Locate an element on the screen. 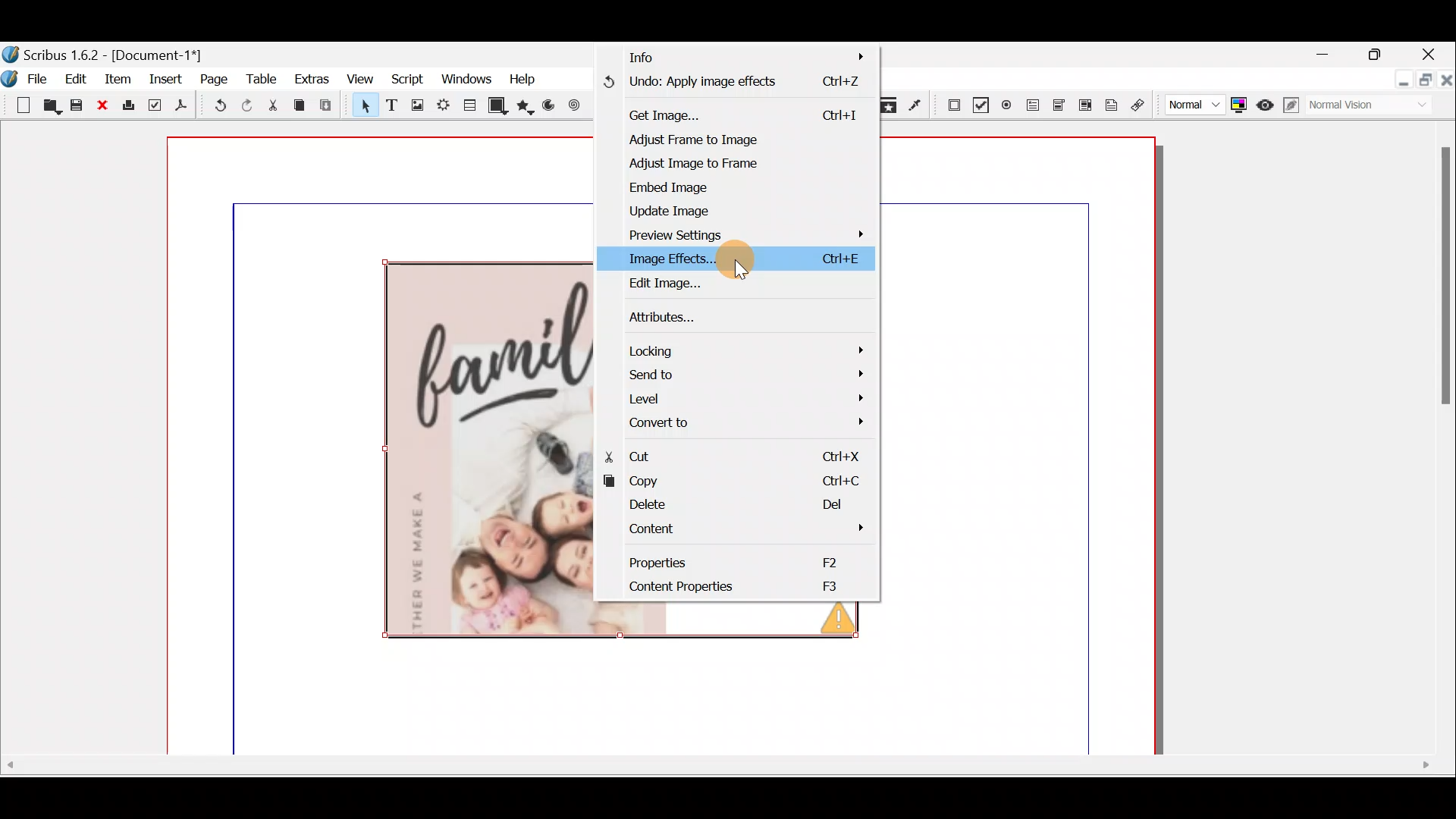  Copy is located at coordinates (303, 106).